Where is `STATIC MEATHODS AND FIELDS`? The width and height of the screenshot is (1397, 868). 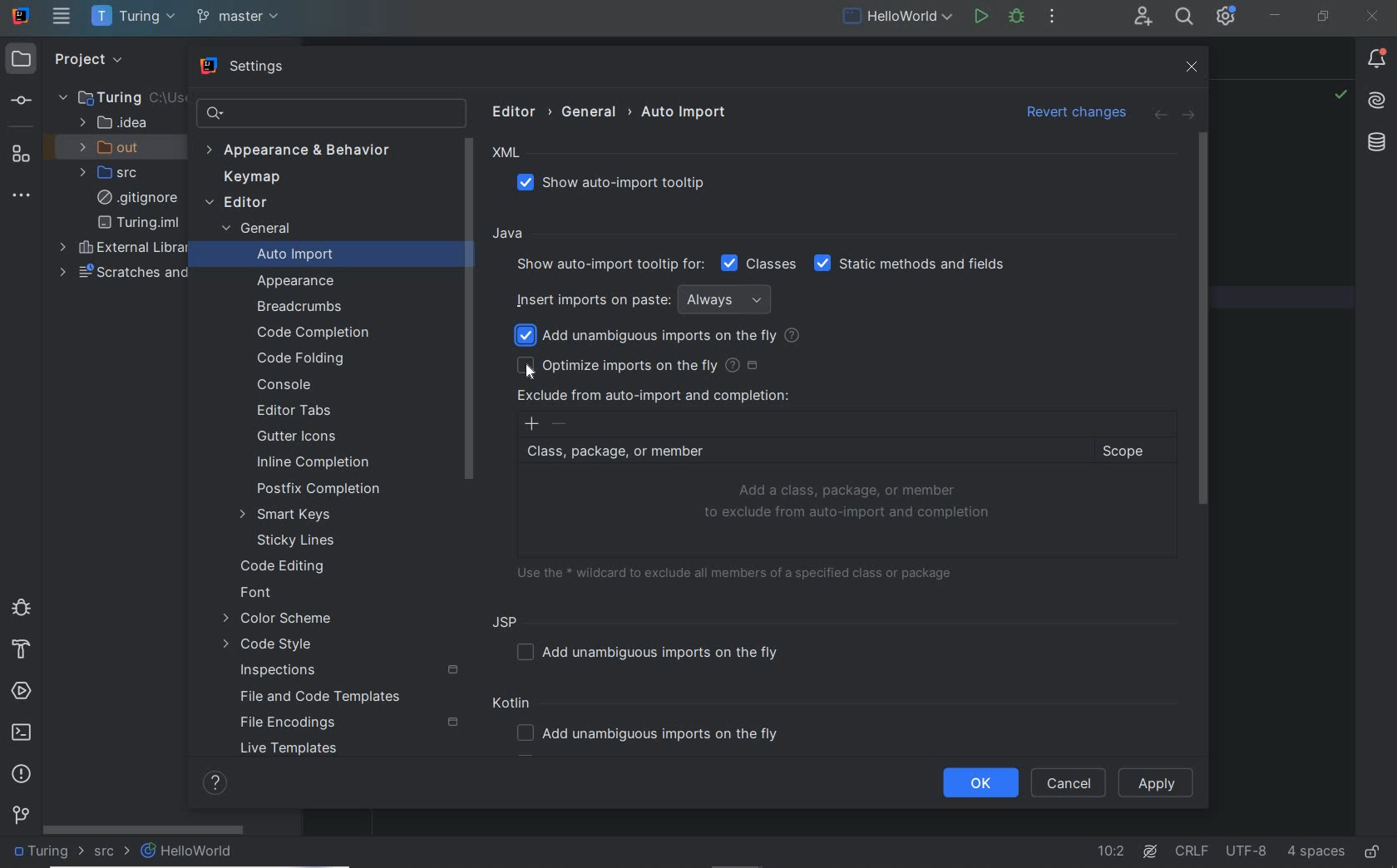
STATIC MEATHODS AND FIELDS is located at coordinates (911, 264).